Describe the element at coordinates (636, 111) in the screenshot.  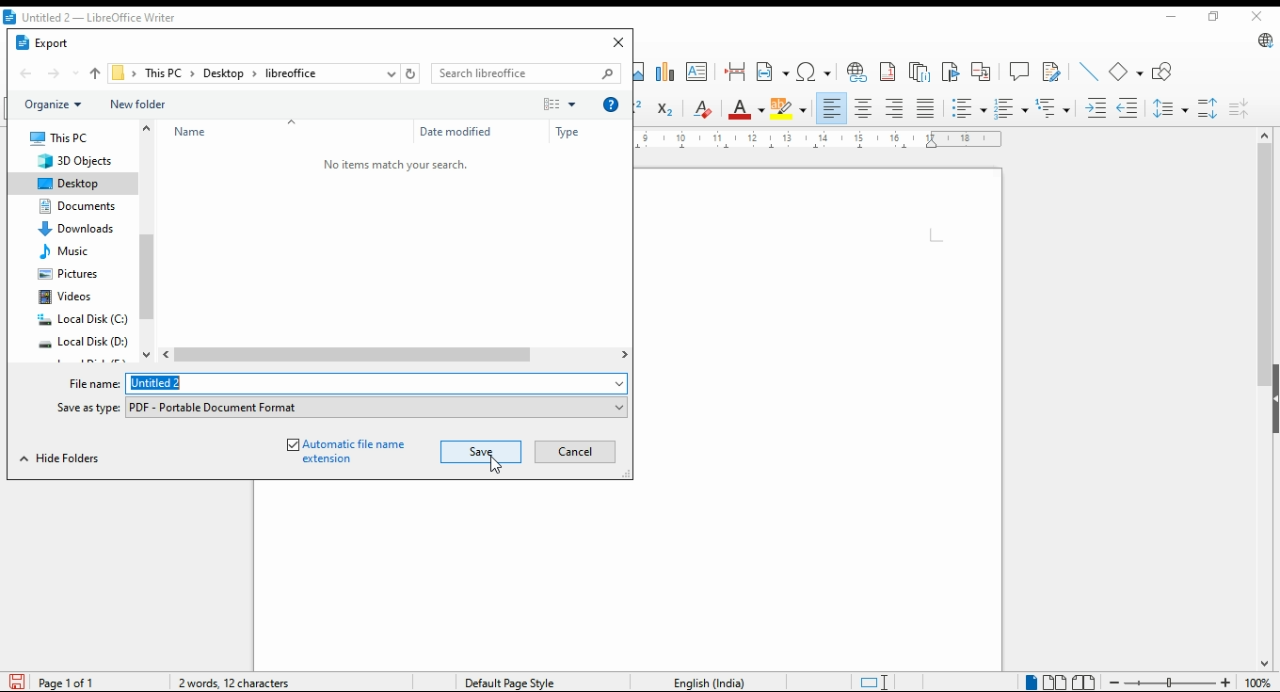
I see `superscript` at that location.